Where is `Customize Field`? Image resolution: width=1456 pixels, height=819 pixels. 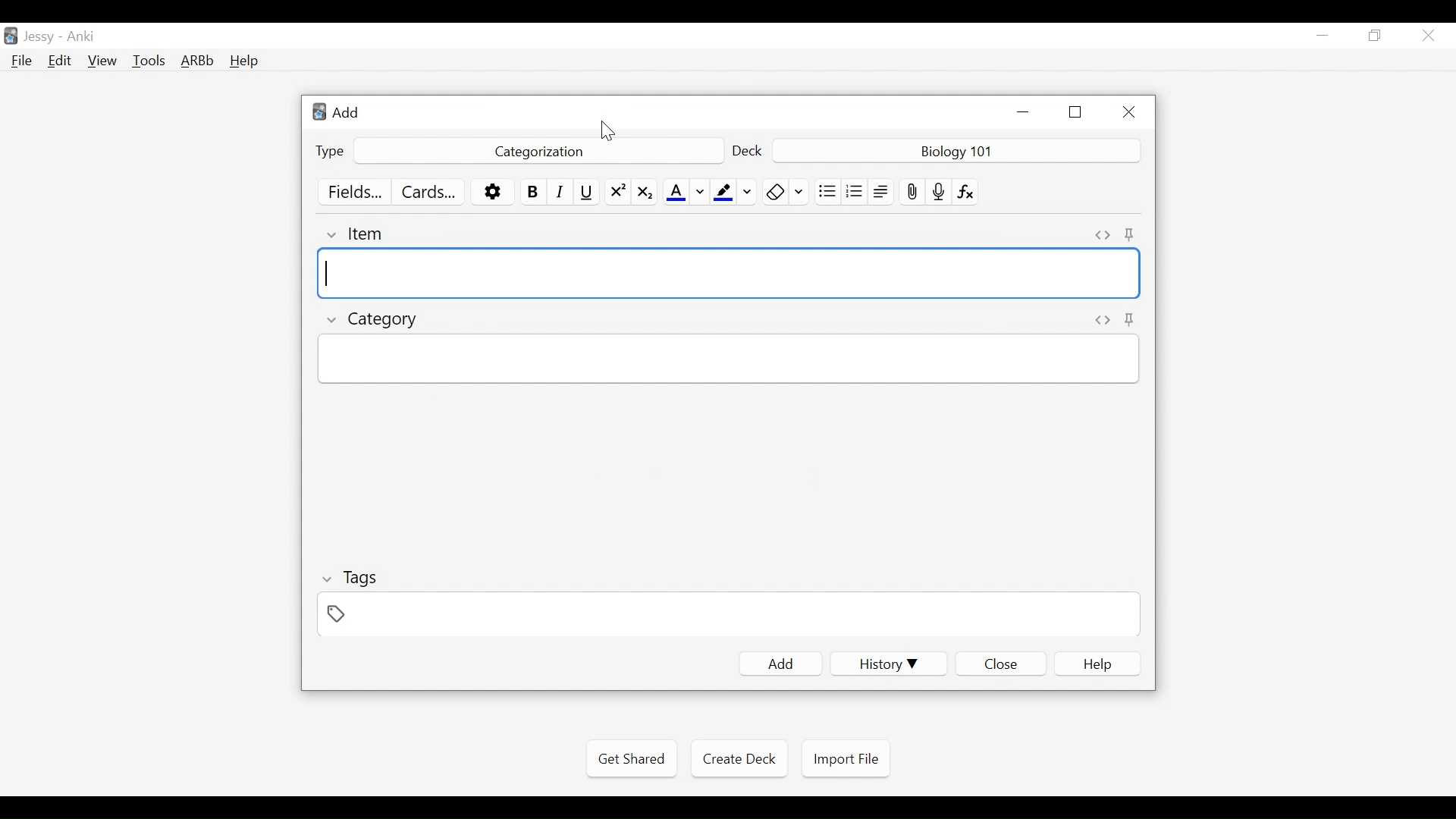
Customize Field is located at coordinates (354, 191).